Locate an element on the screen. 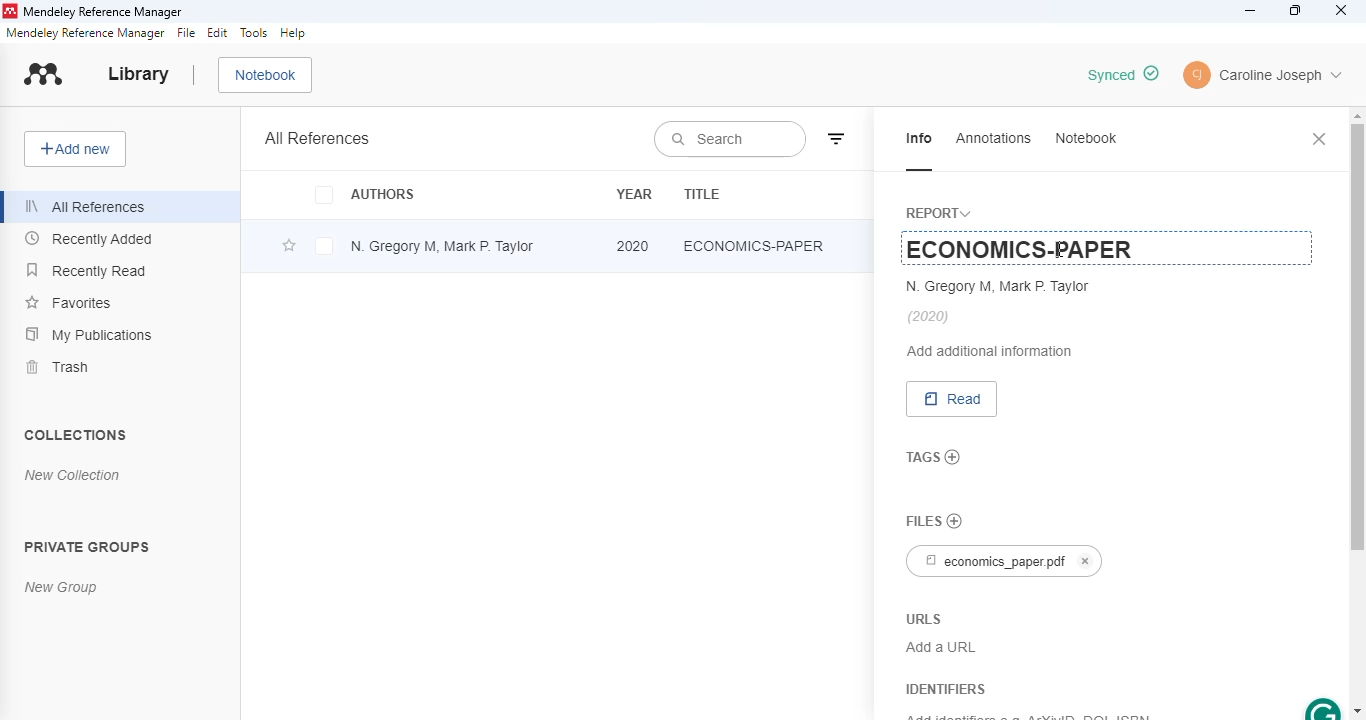 Image resolution: width=1366 pixels, height=720 pixels. title is located at coordinates (703, 195).